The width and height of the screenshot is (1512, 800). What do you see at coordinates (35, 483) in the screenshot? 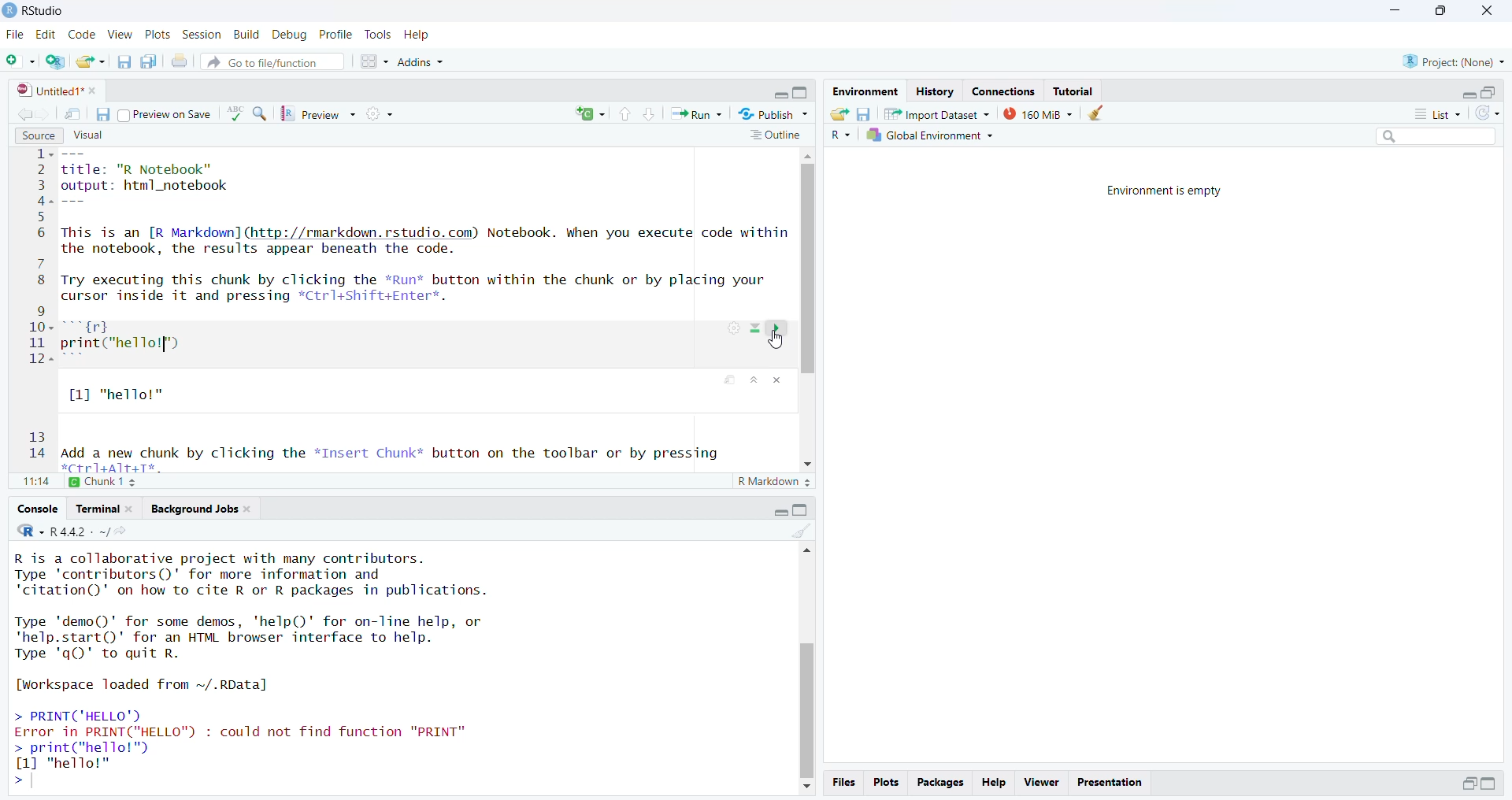
I see `11:14` at bounding box center [35, 483].